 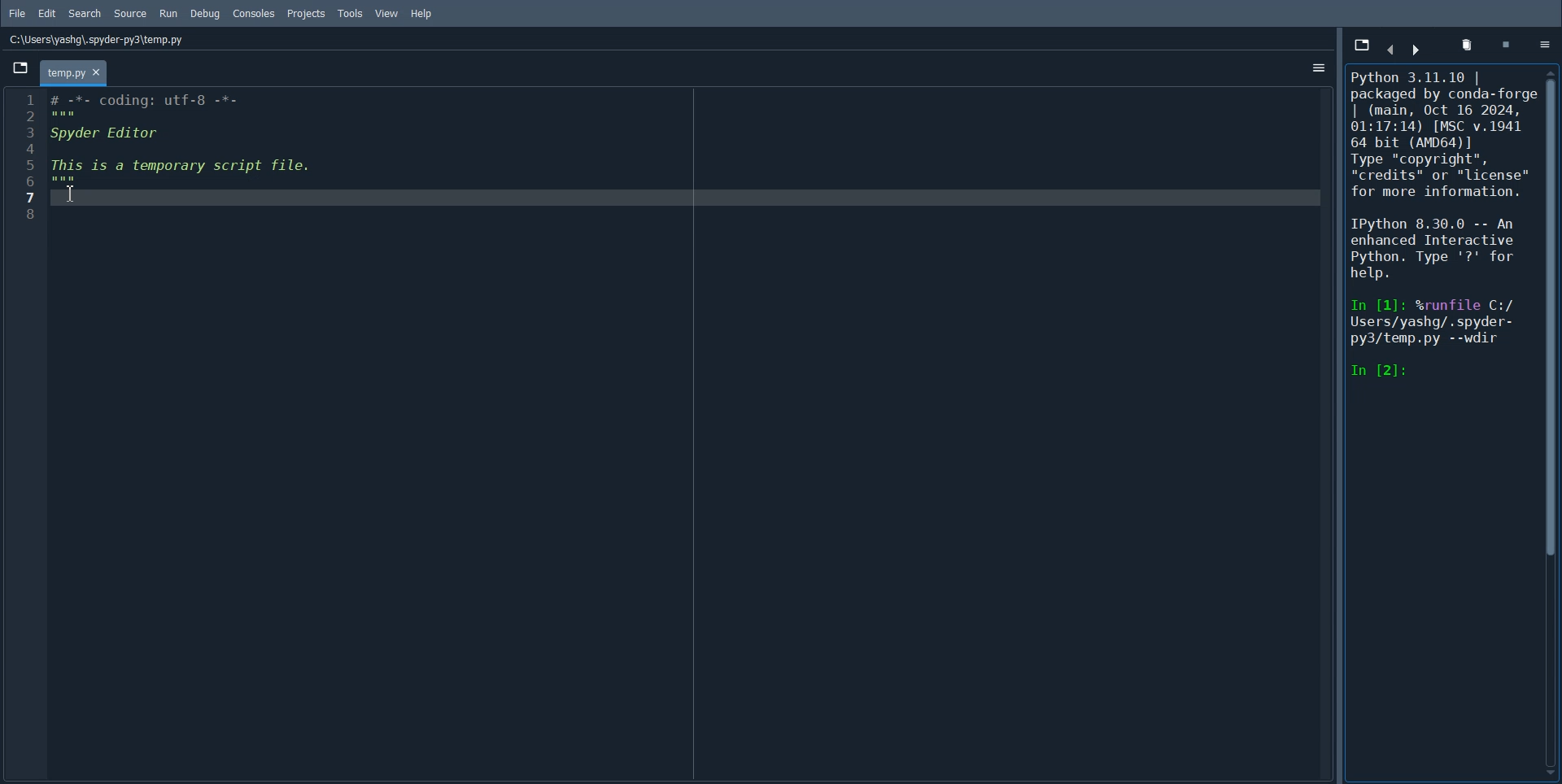 What do you see at coordinates (21, 68) in the screenshot?
I see `Browse tab` at bounding box center [21, 68].